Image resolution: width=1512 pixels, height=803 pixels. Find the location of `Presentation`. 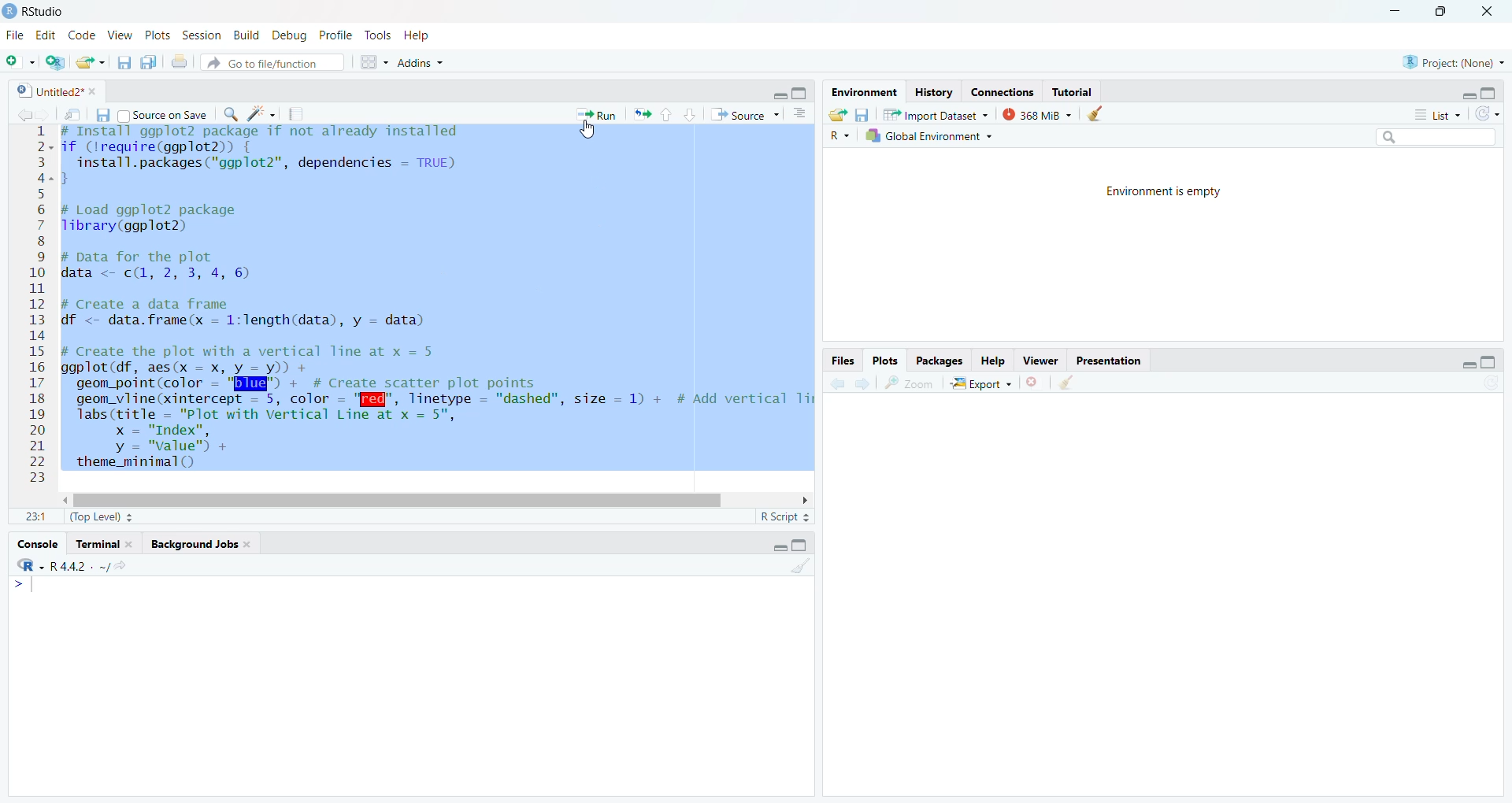

Presentation is located at coordinates (1114, 360).